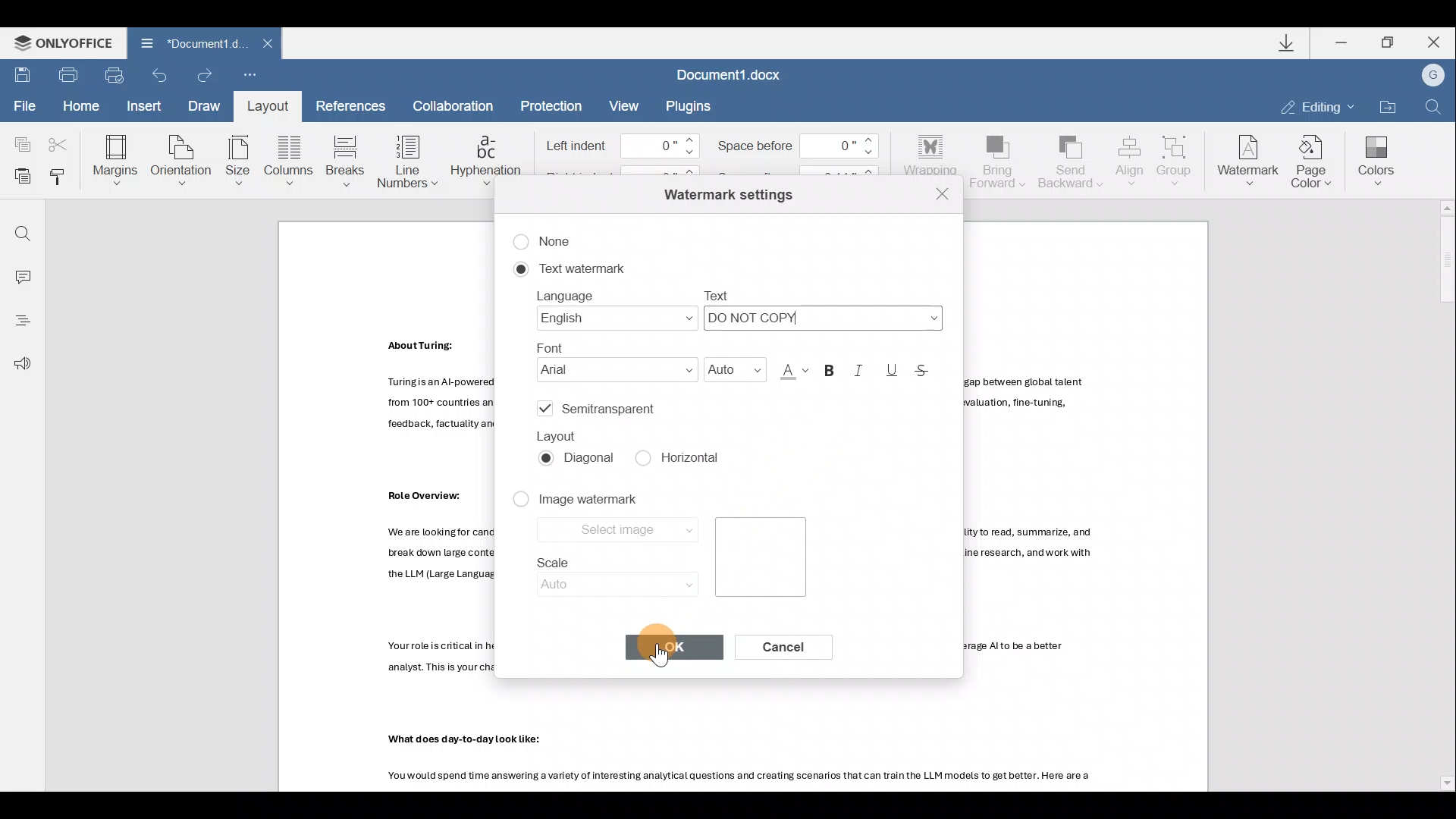  I want to click on Editing mode, so click(1314, 105).